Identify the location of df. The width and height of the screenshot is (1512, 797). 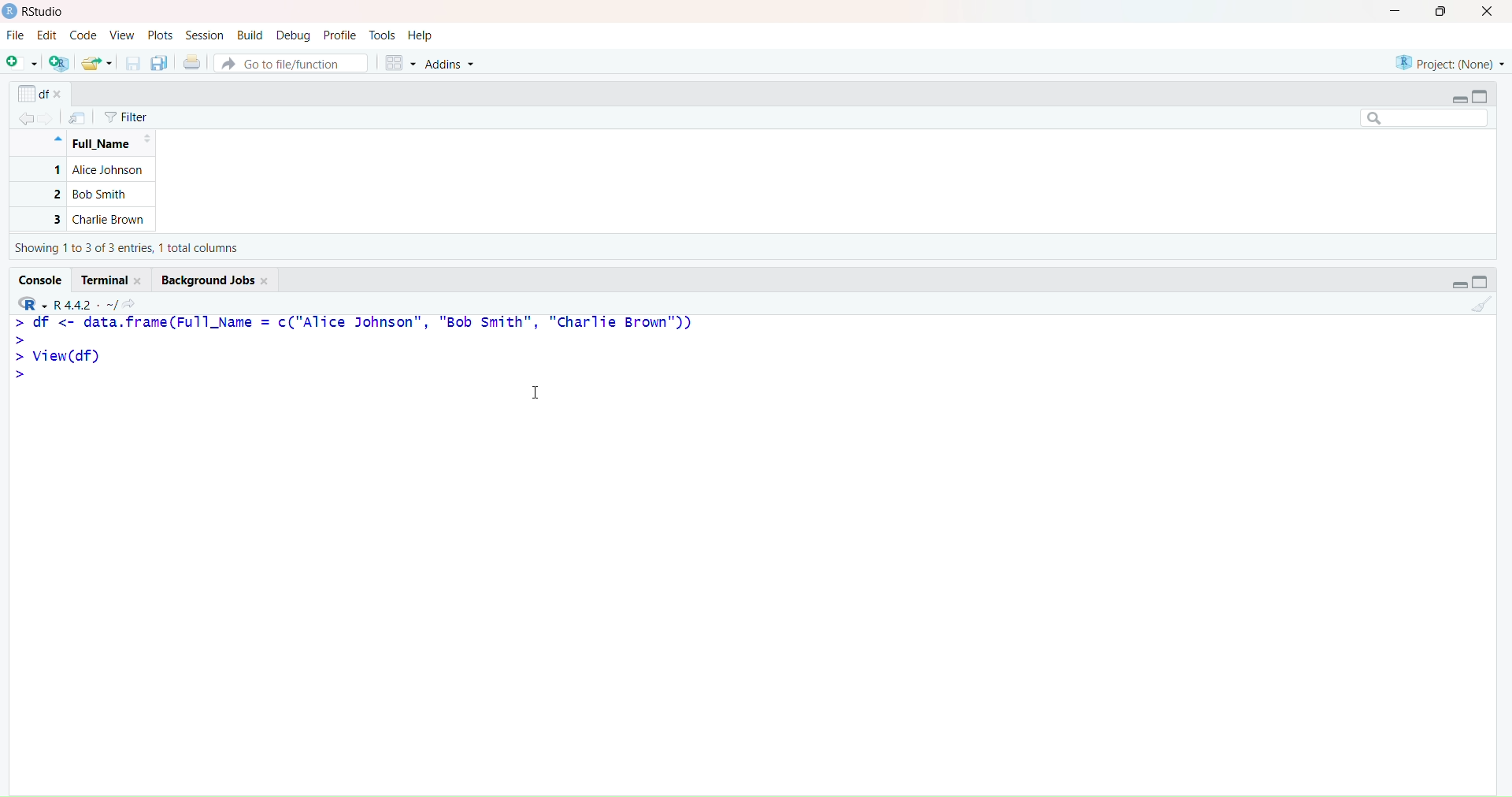
(40, 91).